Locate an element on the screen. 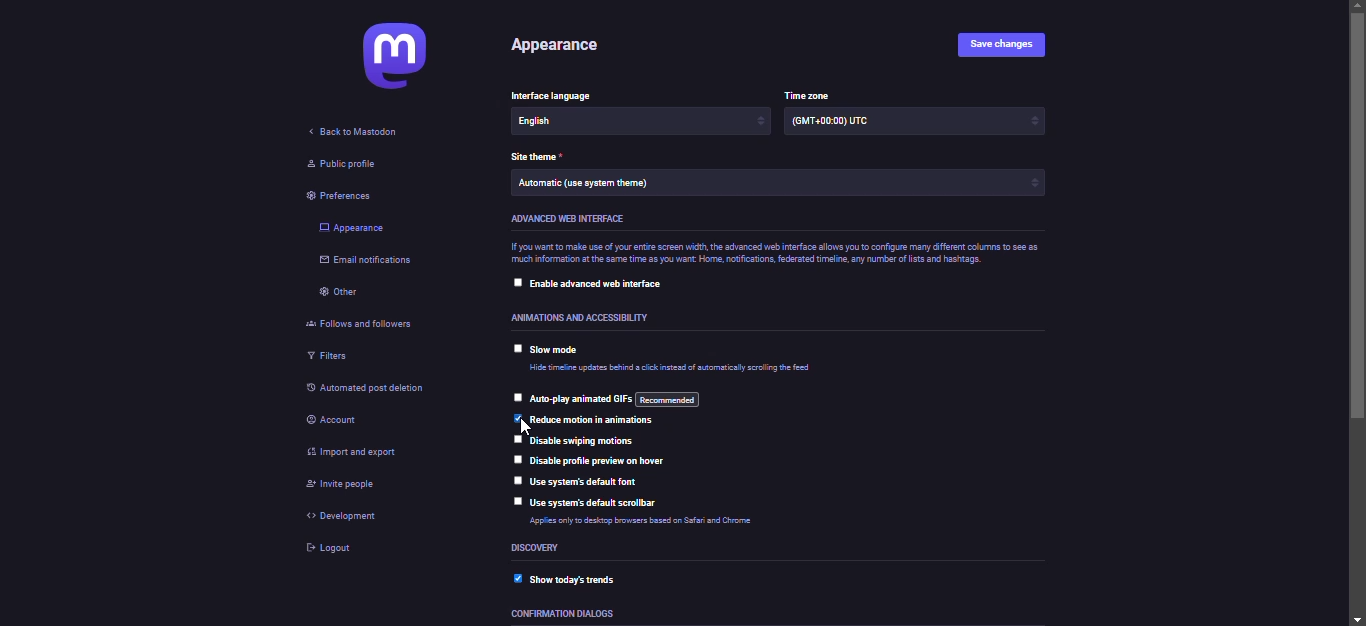 The height and width of the screenshot is (626, 1366). use system's default font is located at coordinates (594, 484).